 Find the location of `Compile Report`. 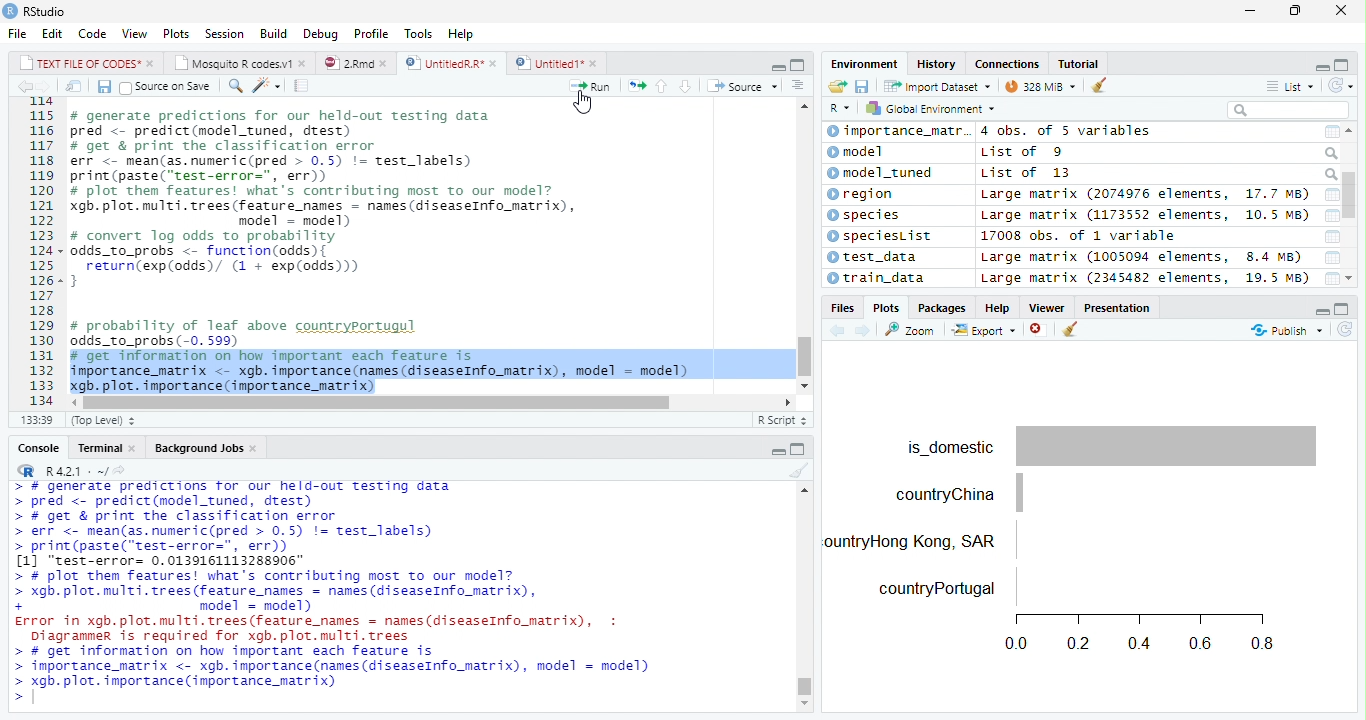

Compile Report is located at coordinates (301, 85).